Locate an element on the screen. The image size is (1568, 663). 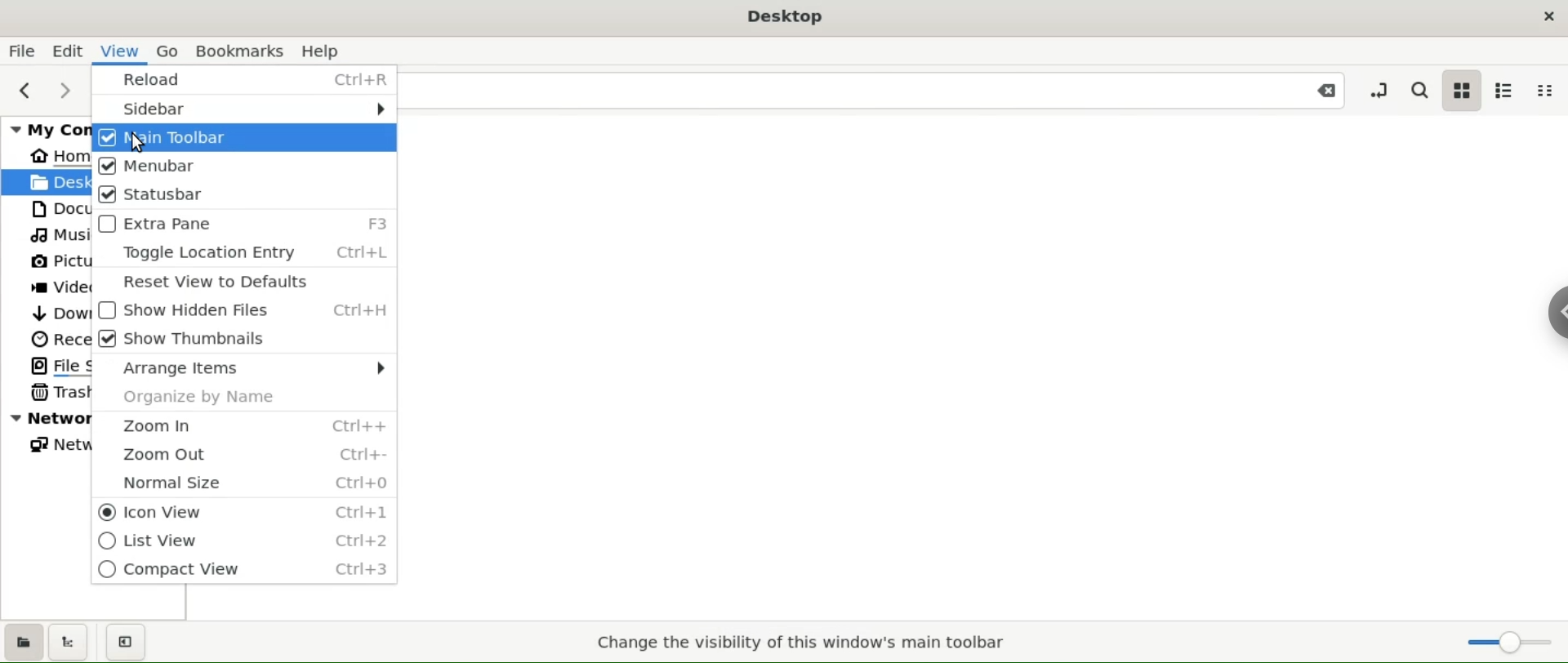
compact view is located at coordinates (1550, 90).